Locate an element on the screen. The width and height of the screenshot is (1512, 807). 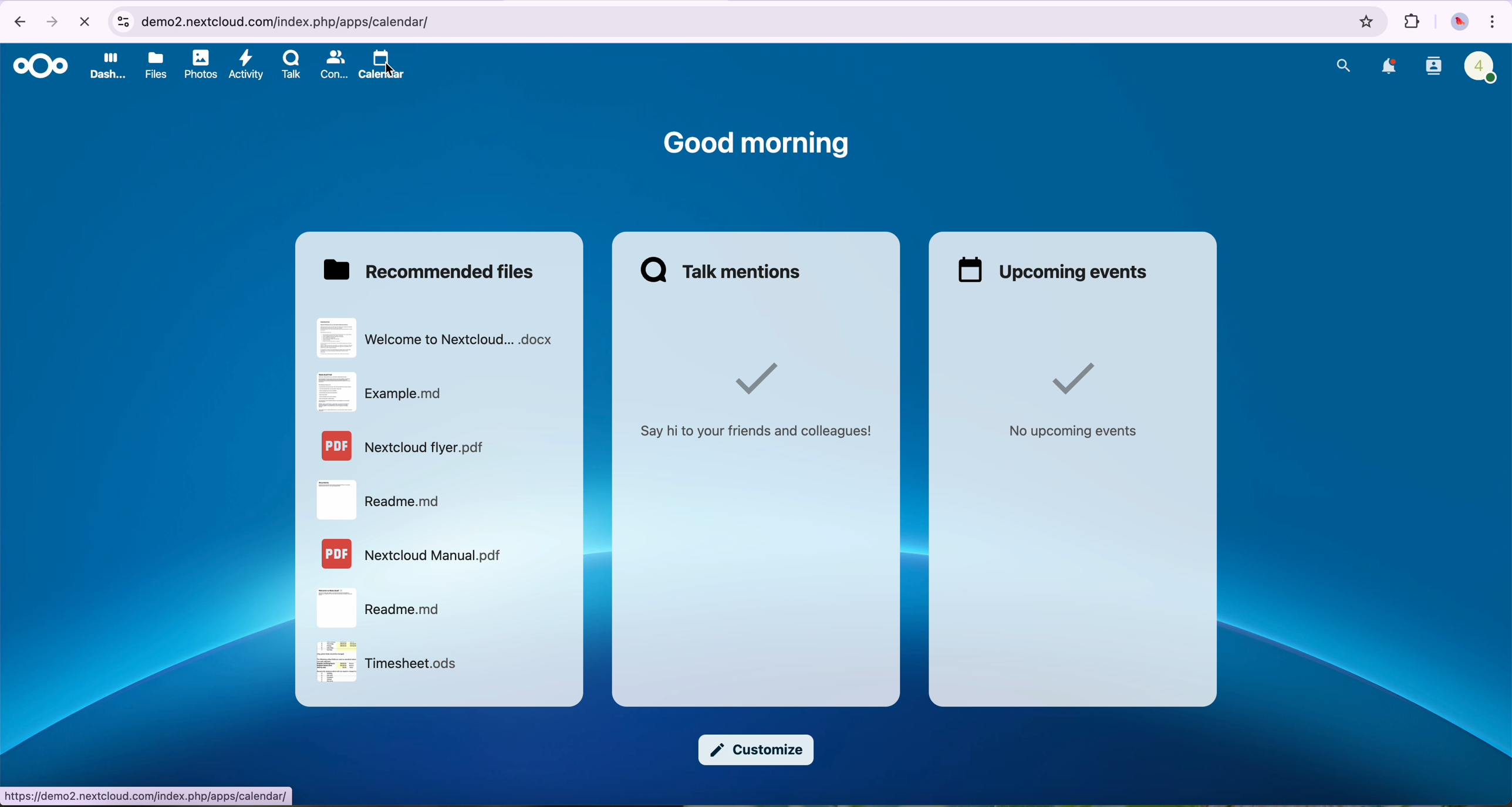
file is located at coordinates (383, 393).